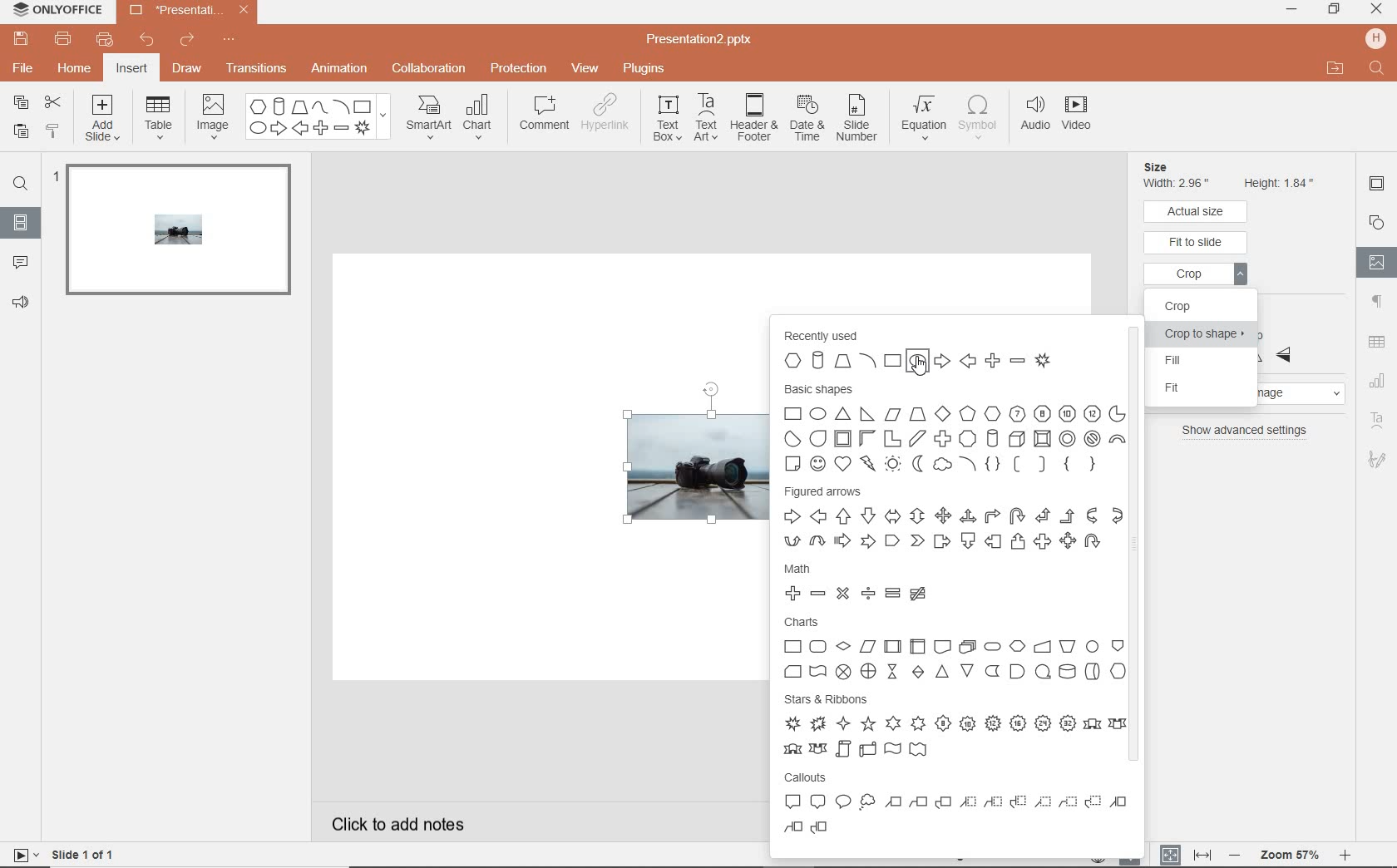 The height and width of the screenshot is (868, 1397). What do you see at coordinates (674, 471) in the screenshot?
I see `Inserted Image` at bounding box center [674, 471].